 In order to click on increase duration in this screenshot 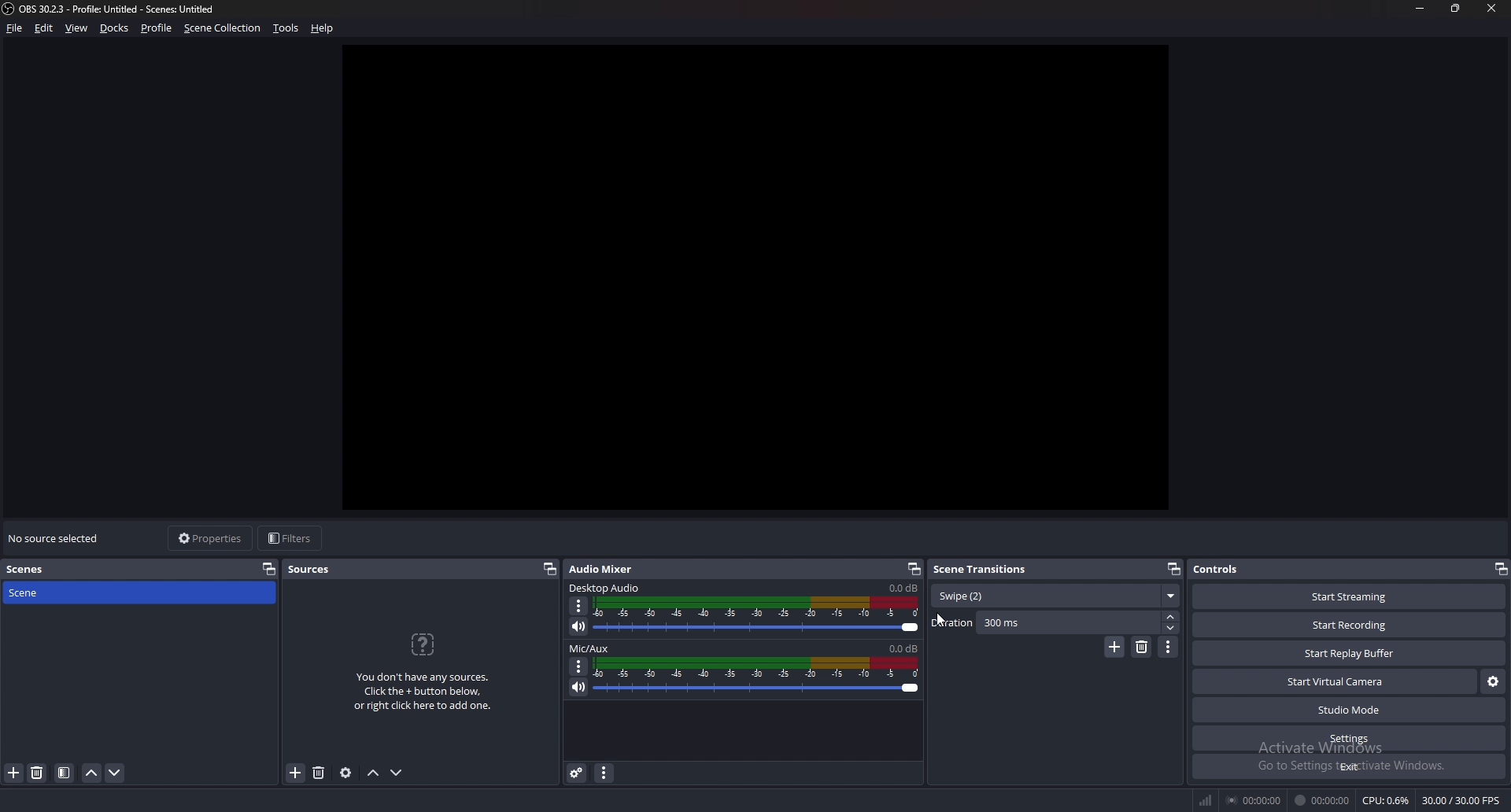, I will do `click(1170, 617)`.